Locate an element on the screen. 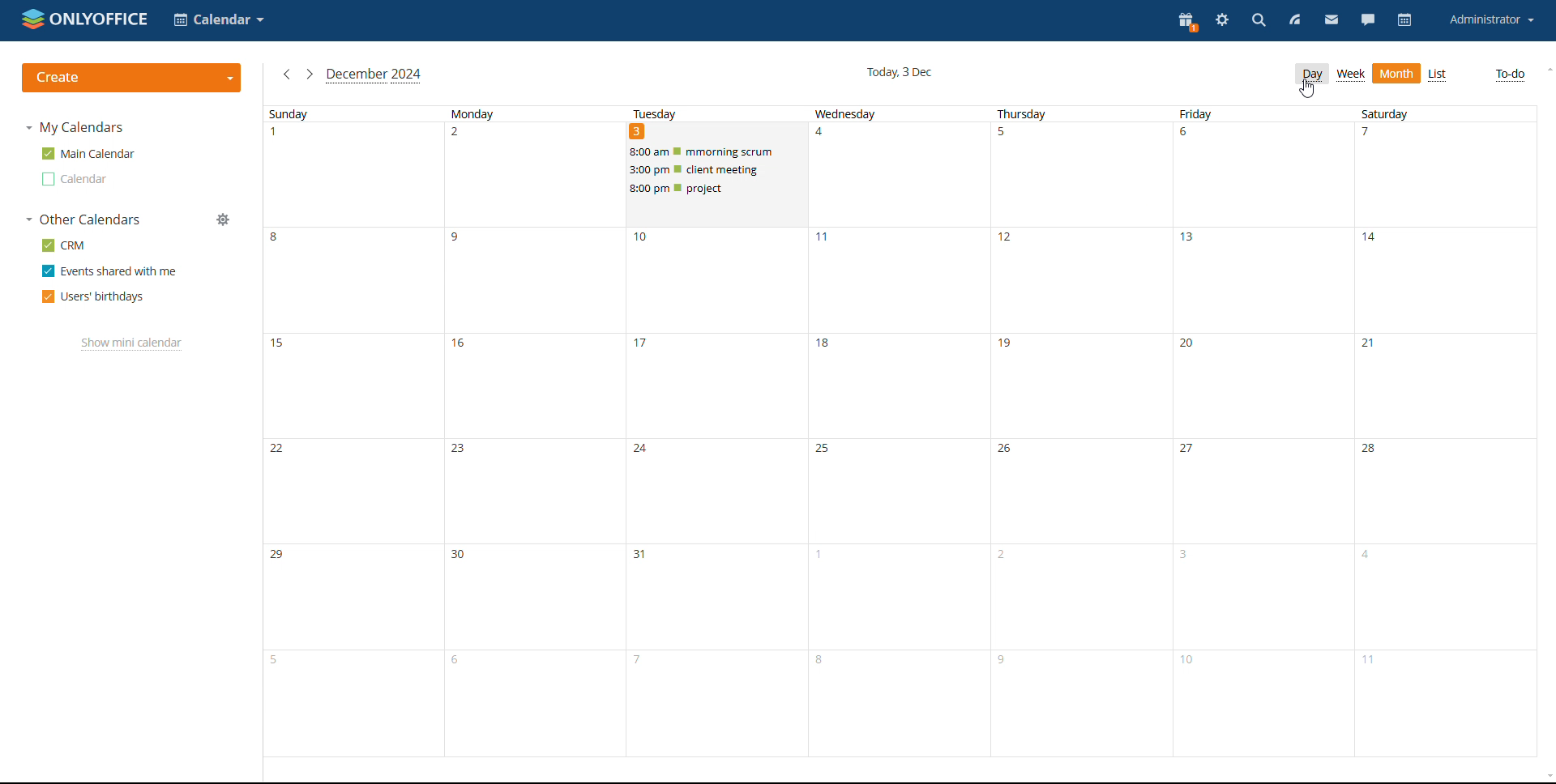 The width and height of the screenshot is (1556, 784). feed is located at coordinates (1297, 19).